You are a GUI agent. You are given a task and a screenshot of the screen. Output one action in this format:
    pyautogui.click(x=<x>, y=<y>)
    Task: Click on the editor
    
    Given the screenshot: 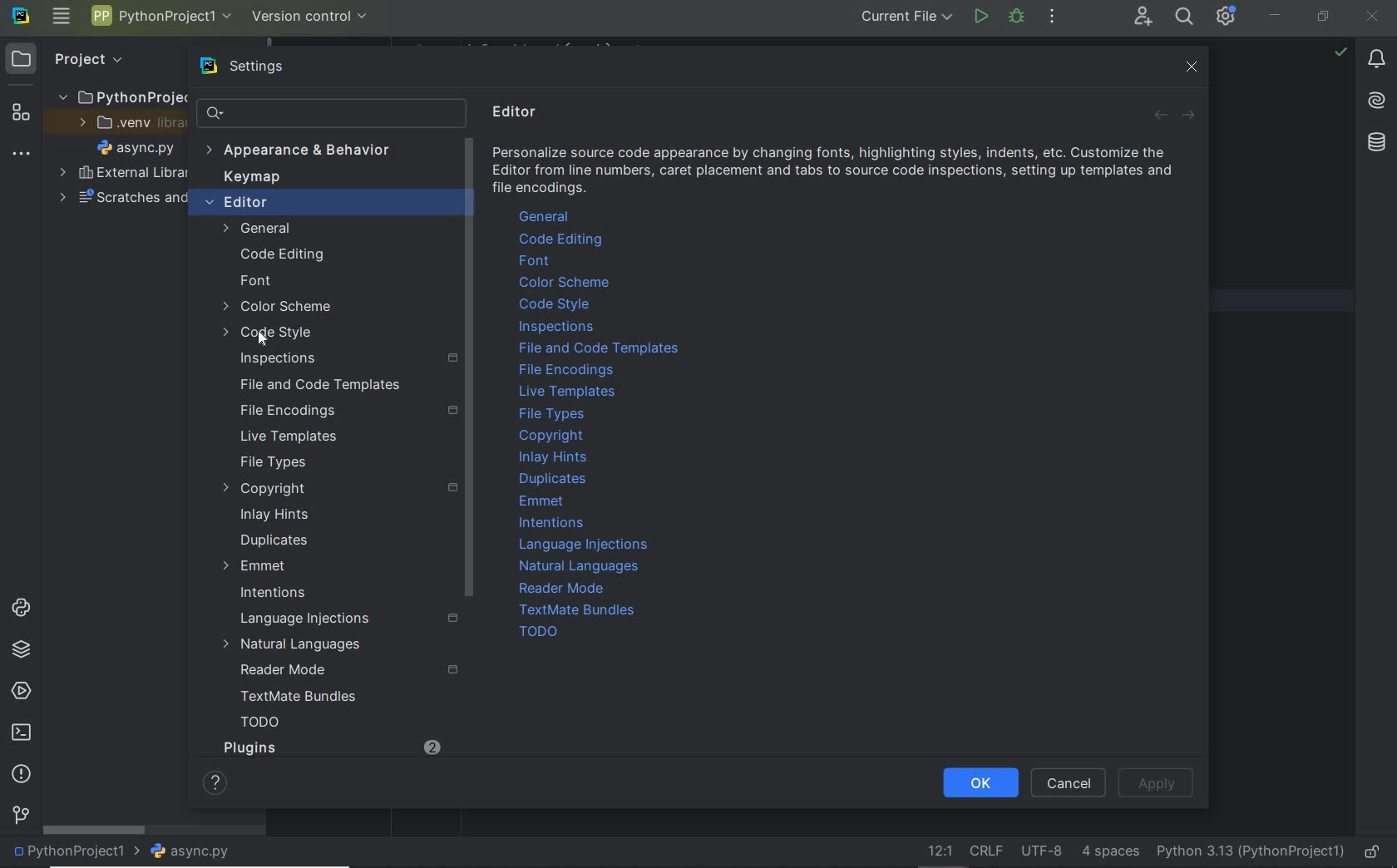 What is the action you would take?
    pyautogui.click(x=518, y=113)
    